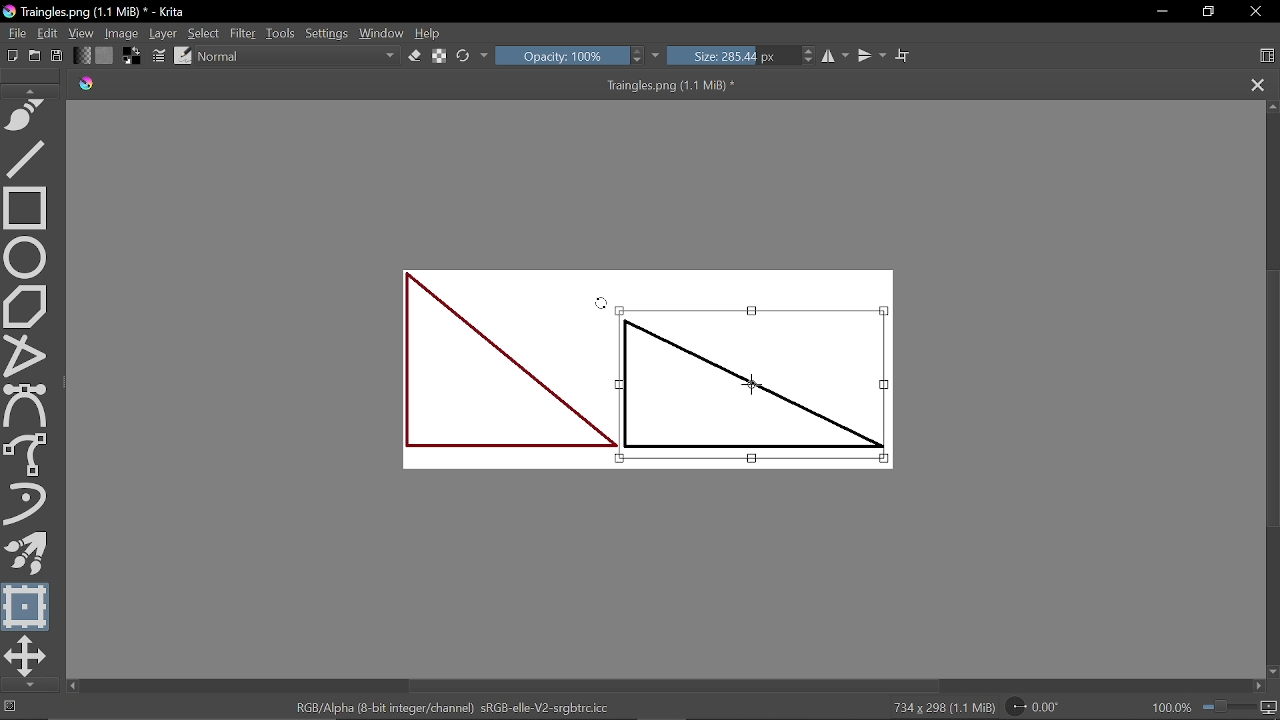  Describe the element at coordinates (14, 33) in the screenshot. I see `File` at that location.